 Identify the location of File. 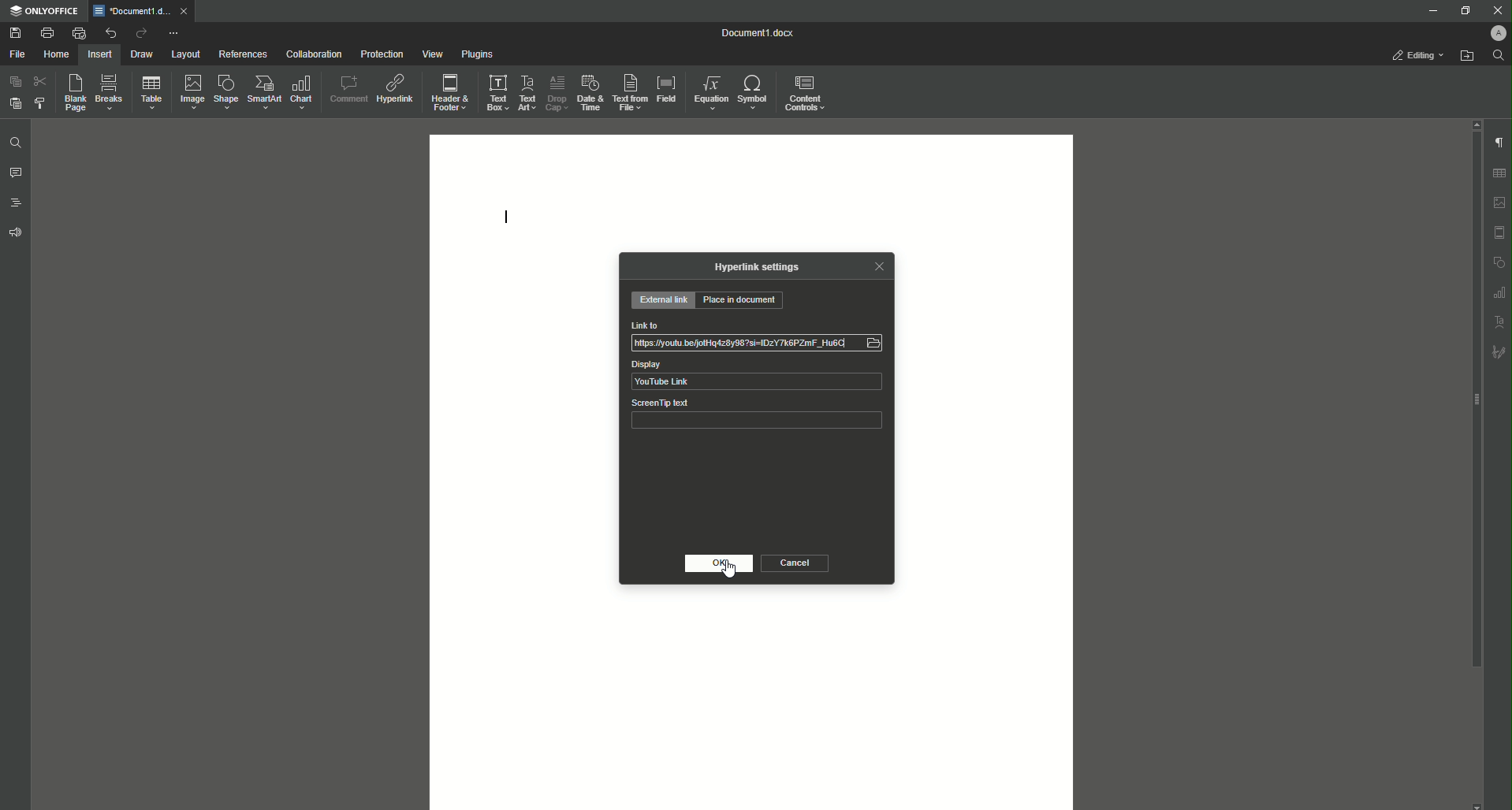
(17, 54).